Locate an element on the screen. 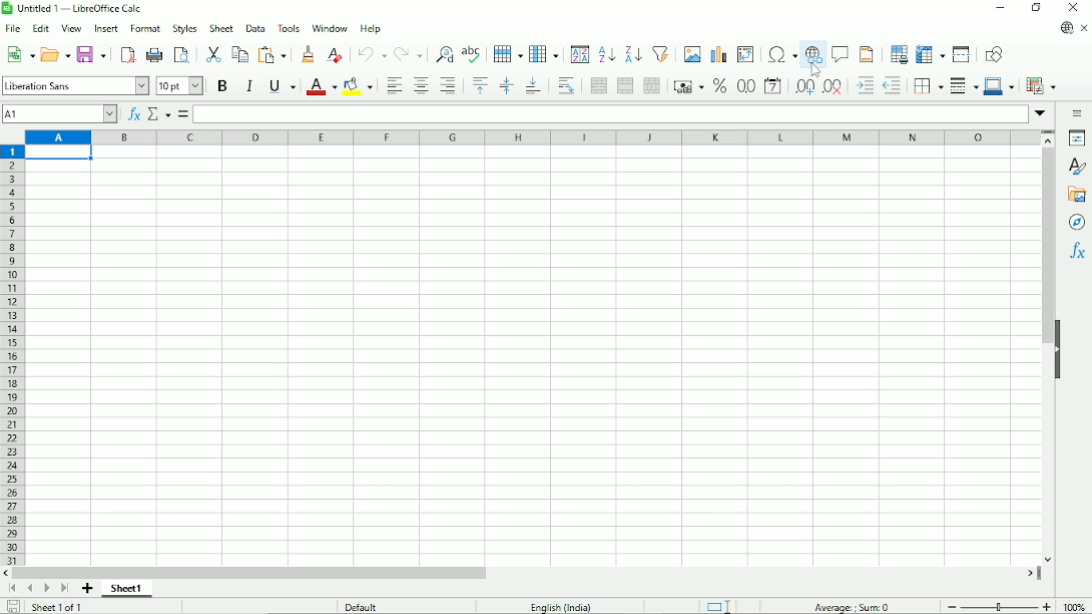 The image size is (1092, 614). Show draw functions is located at coordinates (995, 55).